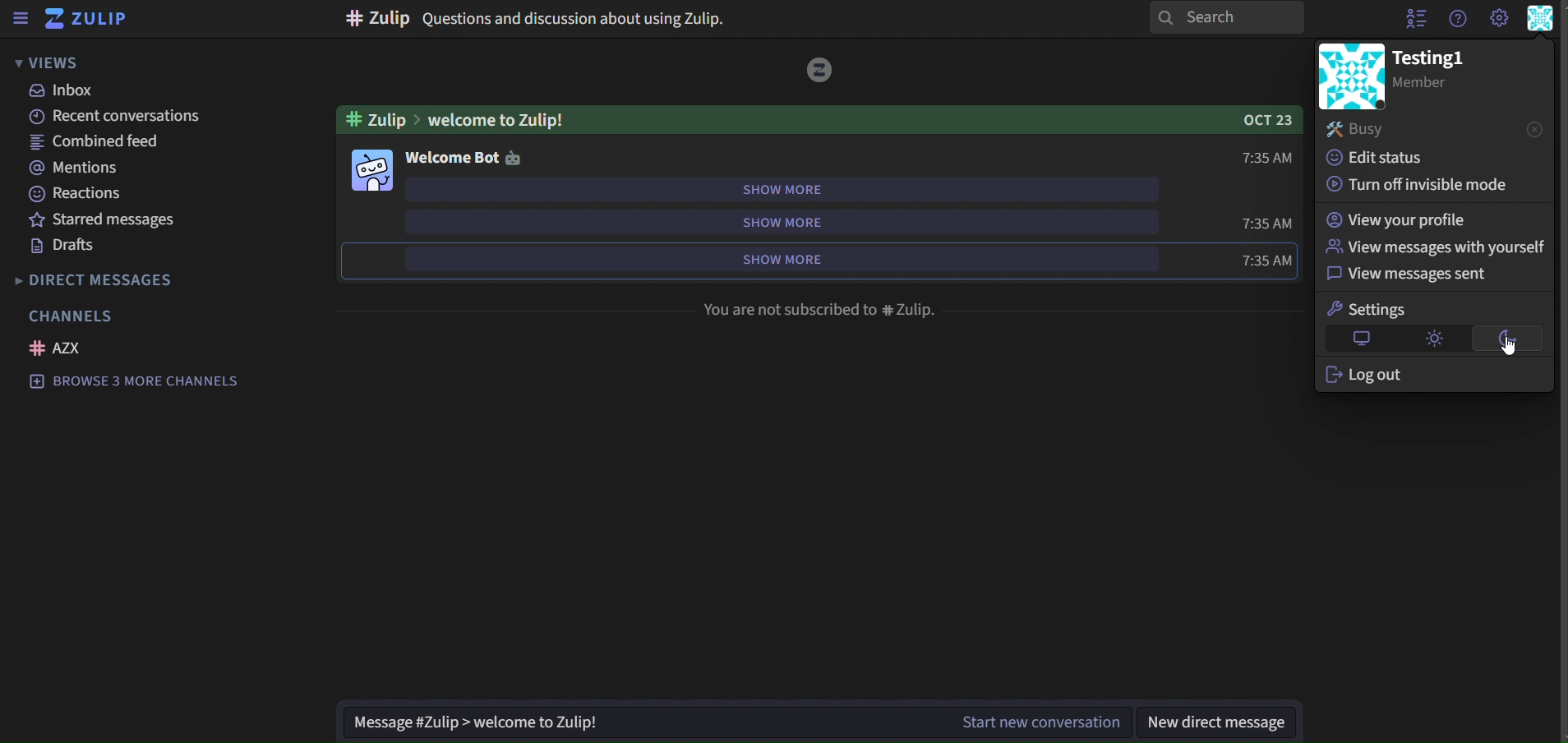  I want to click on view messages with yourself, so click(1433, 245).